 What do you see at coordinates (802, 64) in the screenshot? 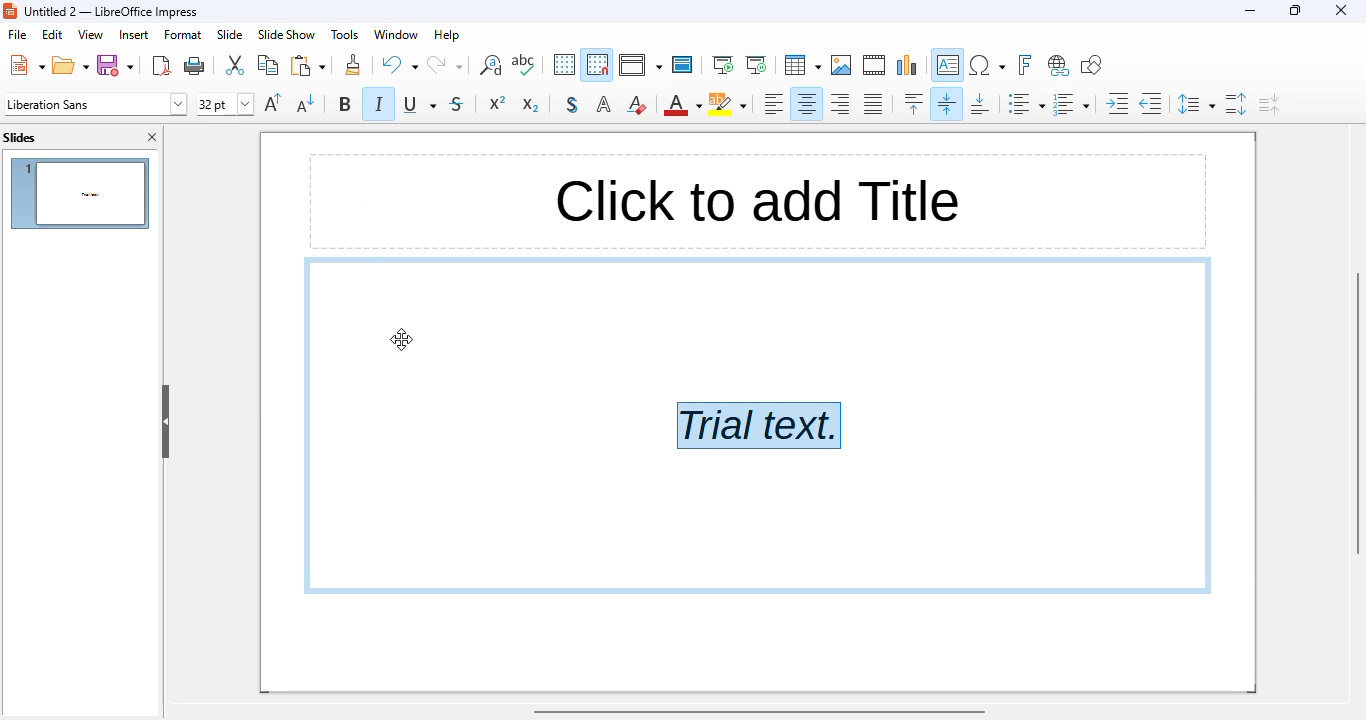
I see `table` at bounding box center [802, 64].